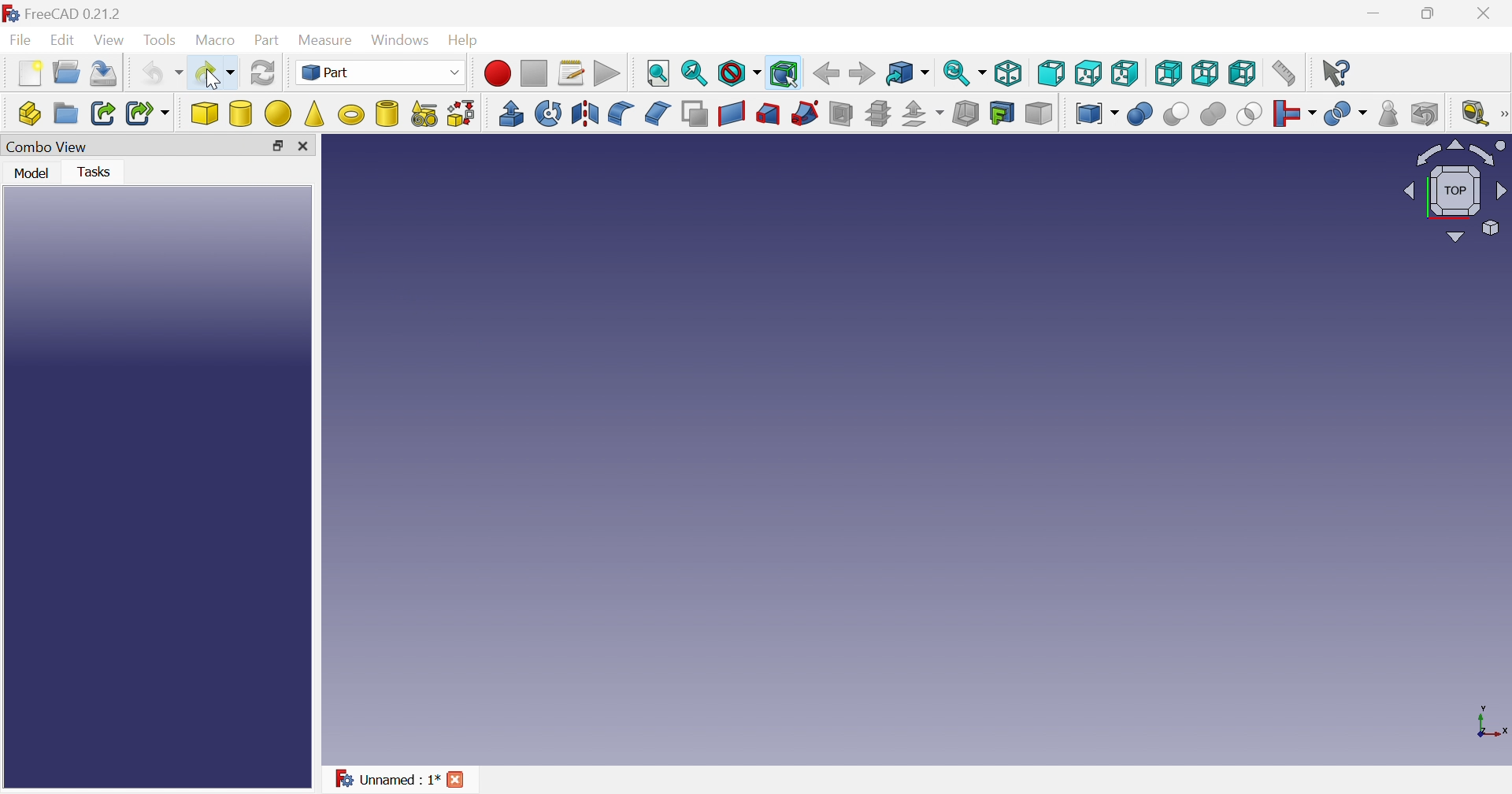 The height and width of the screenshot is (794, 1512). What do you see at coordinates (1095, 113) in the screenshot?
I see `Compound tools` at bounding box center [1095, 113].